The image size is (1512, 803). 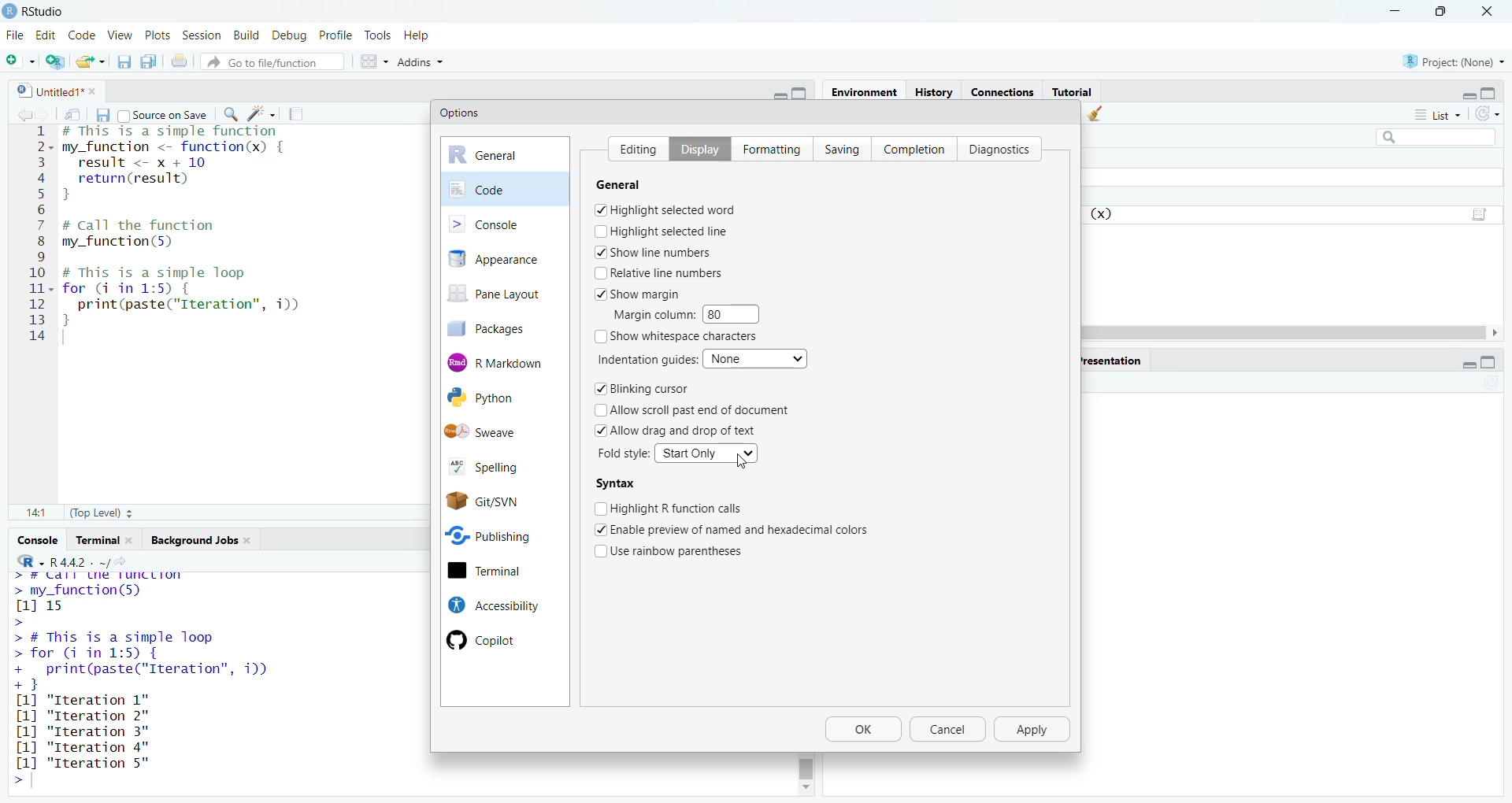 I want to click on workspace panes, so click(x=372, y=60).